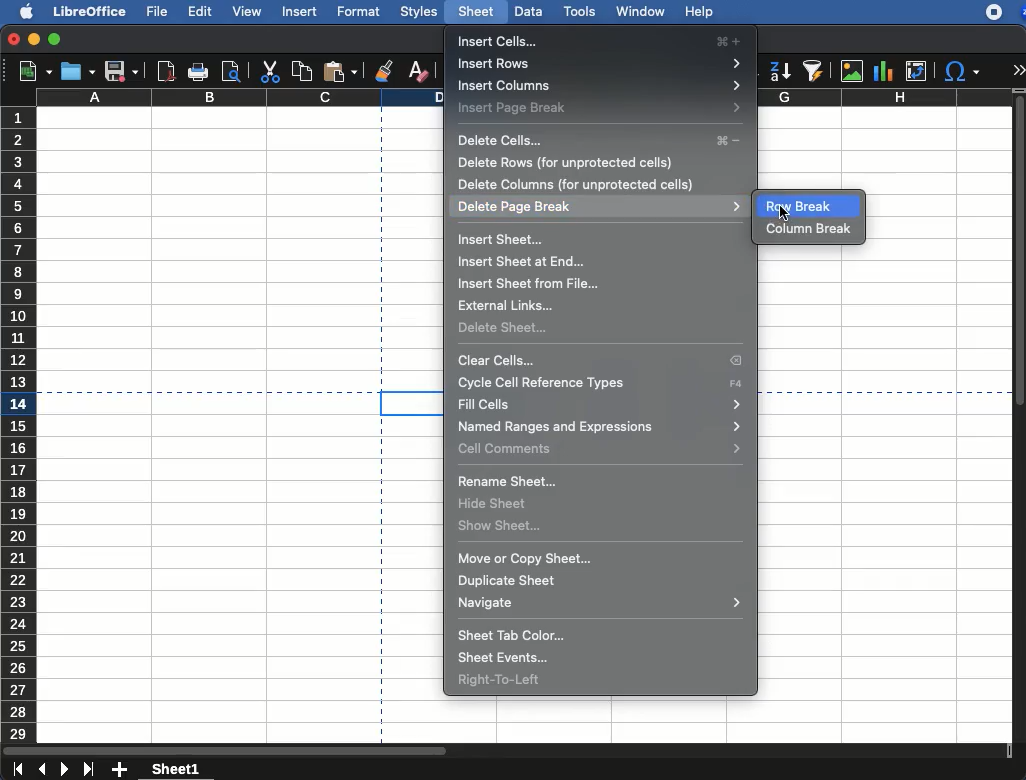  Describe the element at coordinates (600, 362) in the screenshot. I see `clear cells` at that location.